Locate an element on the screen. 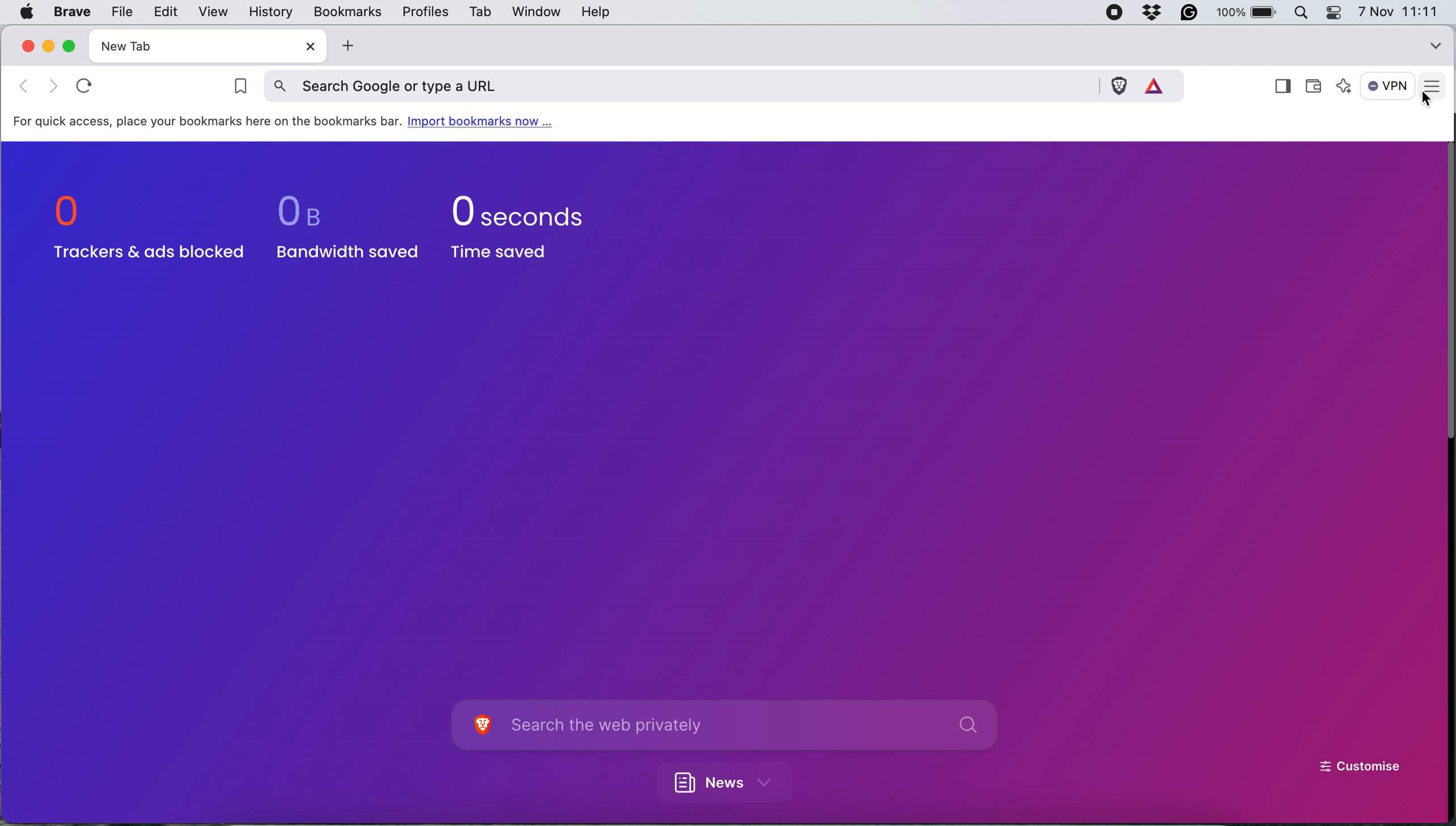  refresh is located at coordinates (88, 86).